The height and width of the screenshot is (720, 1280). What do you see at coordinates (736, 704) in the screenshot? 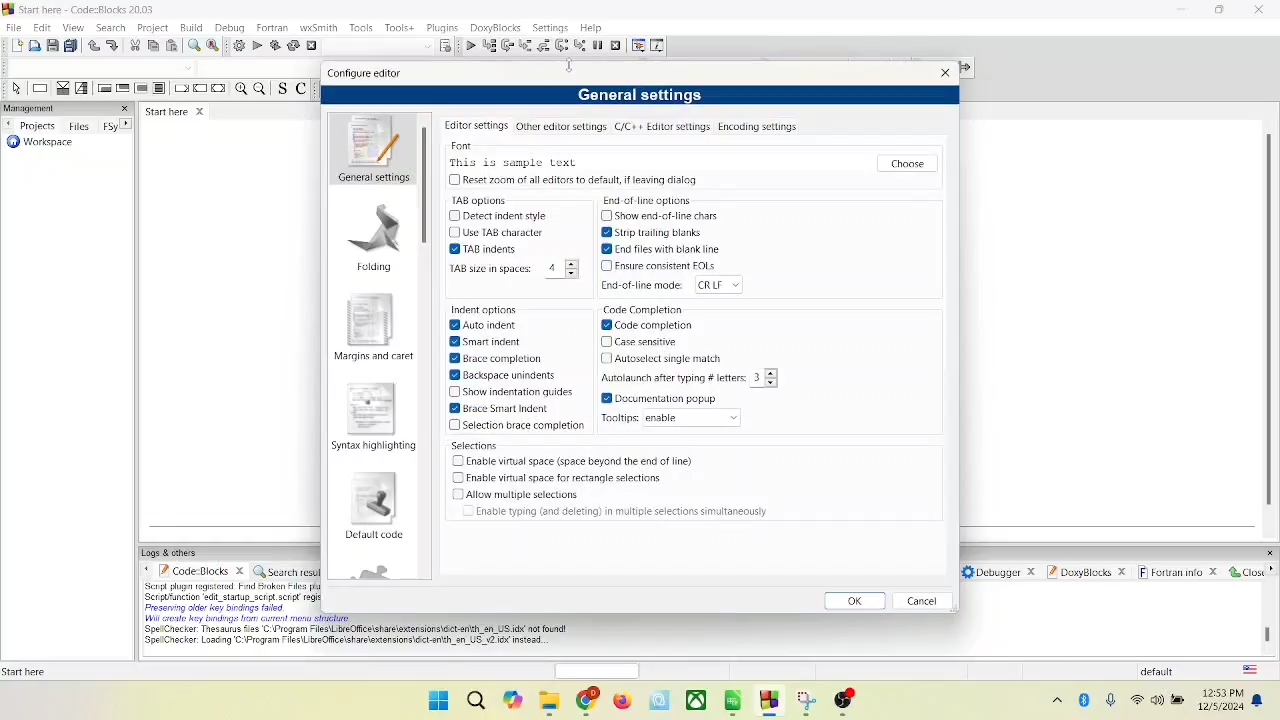
I see `apps` at bounding box center [736, 704].